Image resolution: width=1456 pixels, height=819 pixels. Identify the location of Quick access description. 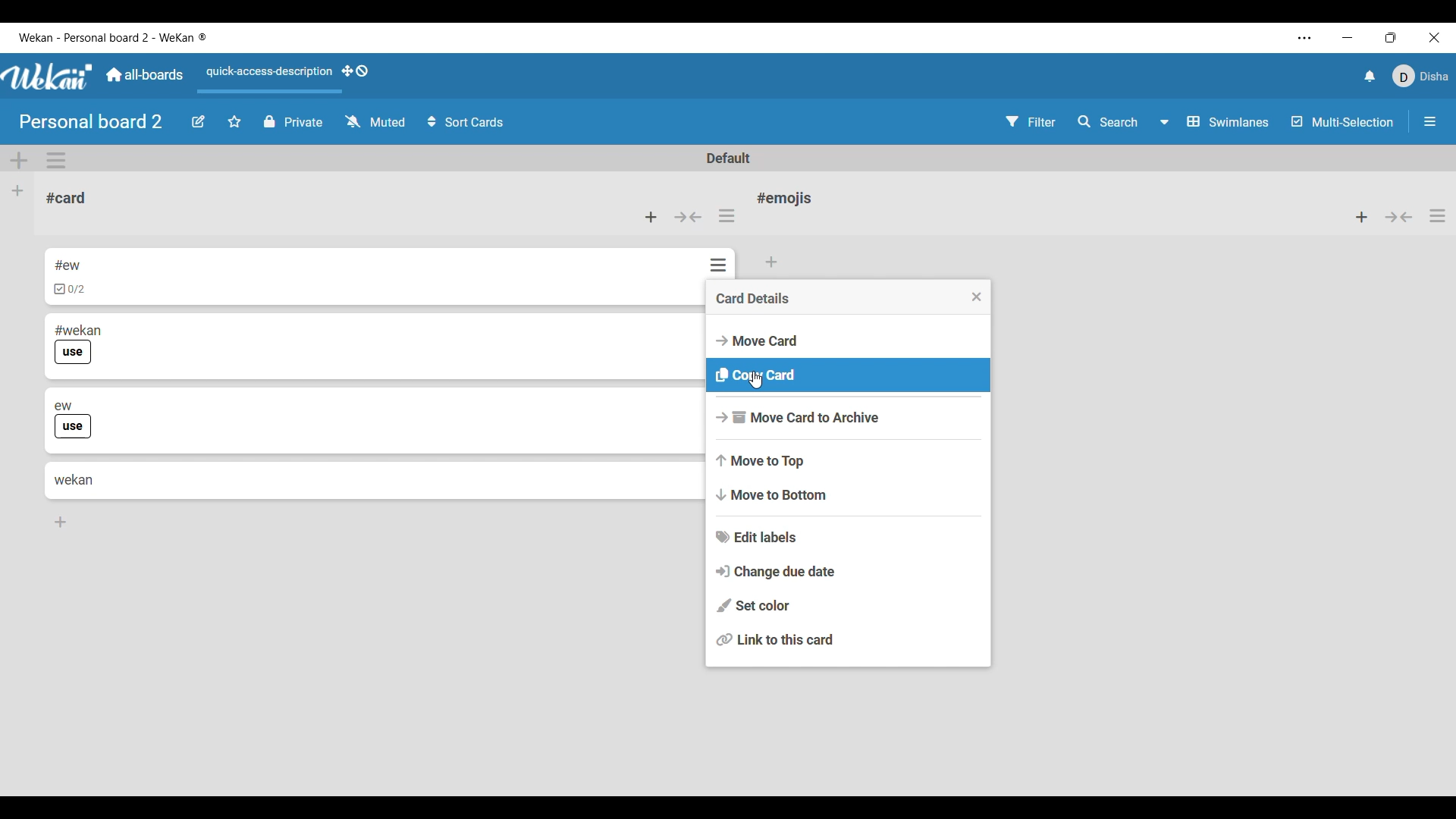
(268, 78).